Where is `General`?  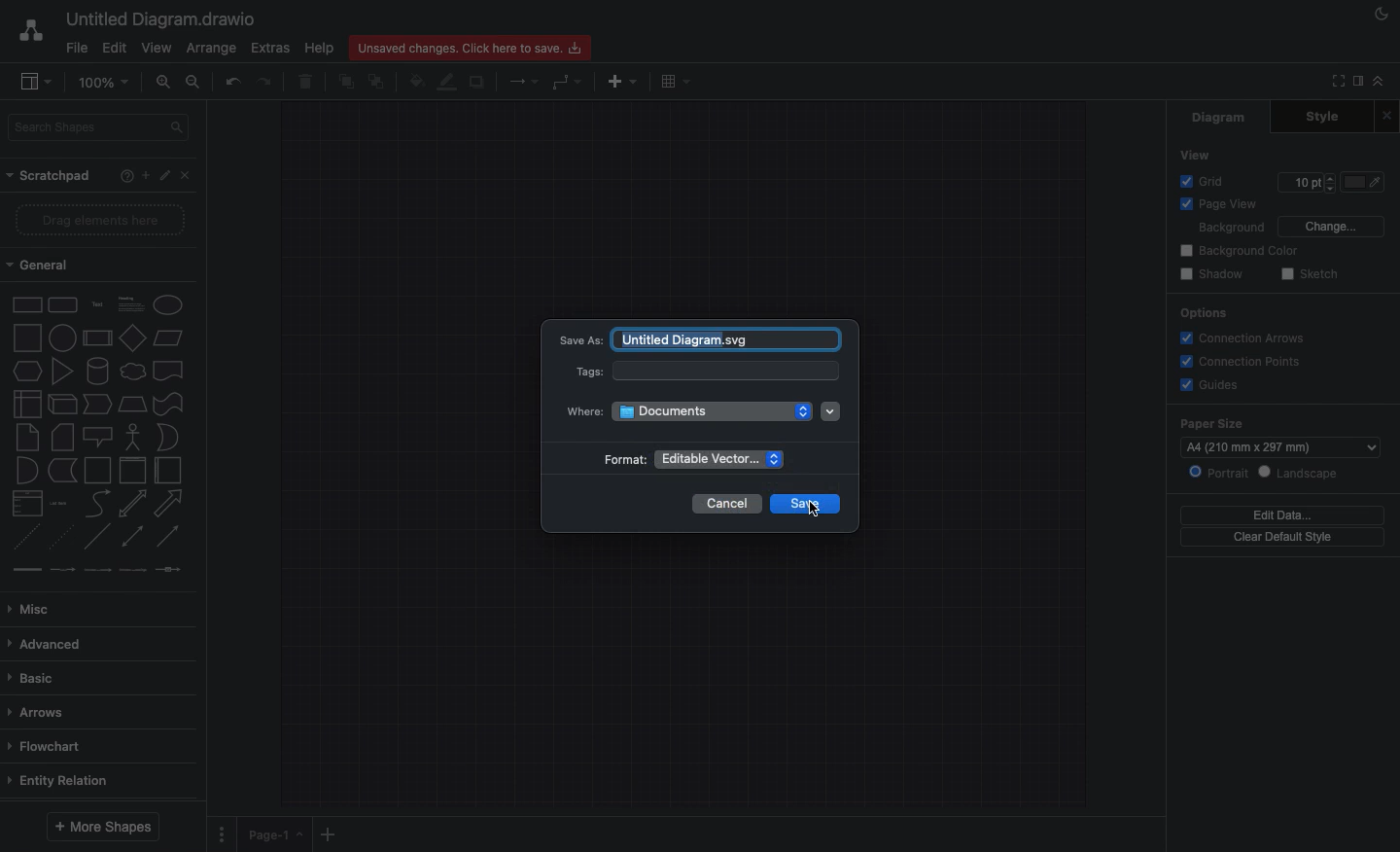
General is located at coordinates (41, 264).